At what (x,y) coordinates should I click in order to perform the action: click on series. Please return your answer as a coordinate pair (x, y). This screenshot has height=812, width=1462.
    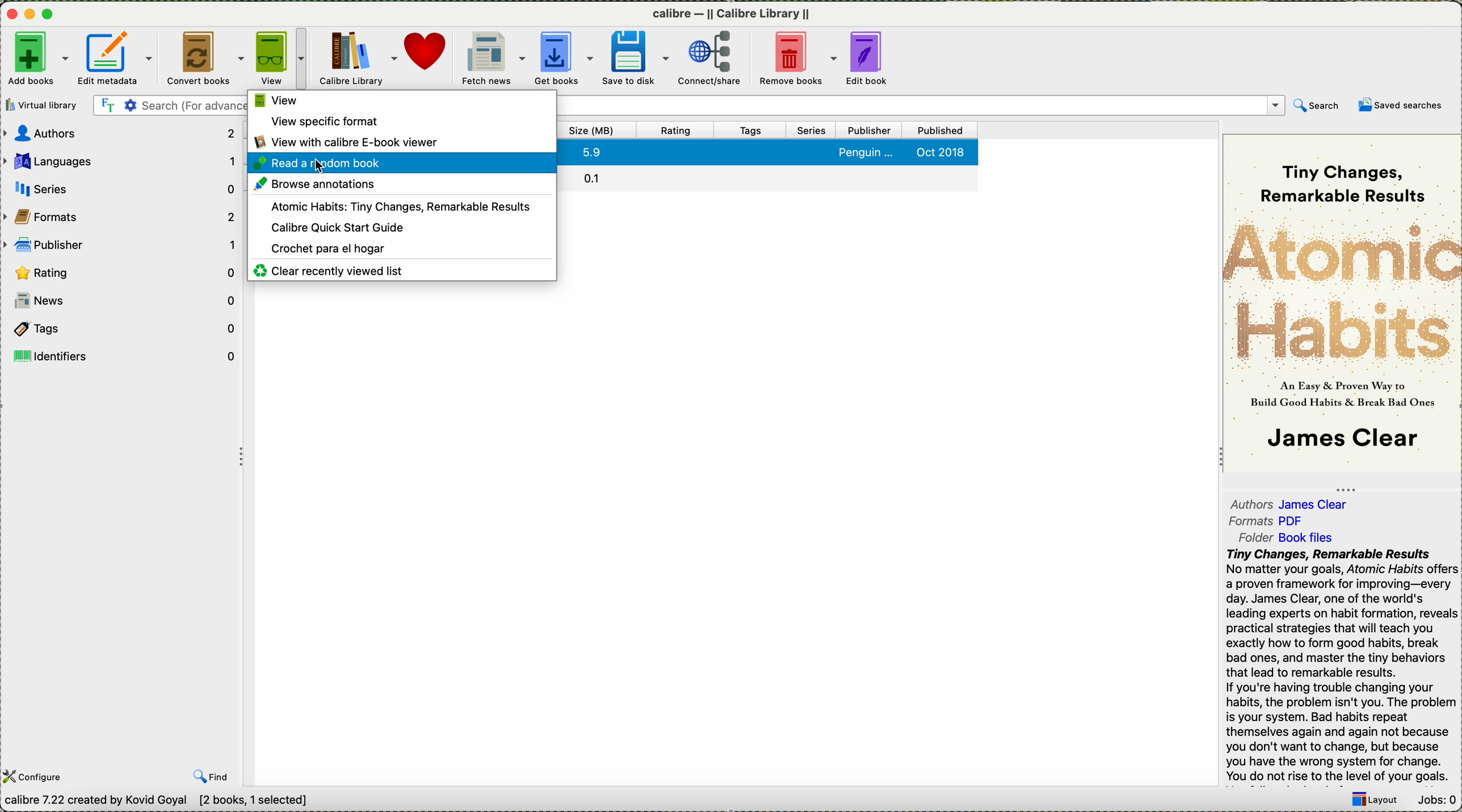
    Looking at the image, I should click on (812, 131).